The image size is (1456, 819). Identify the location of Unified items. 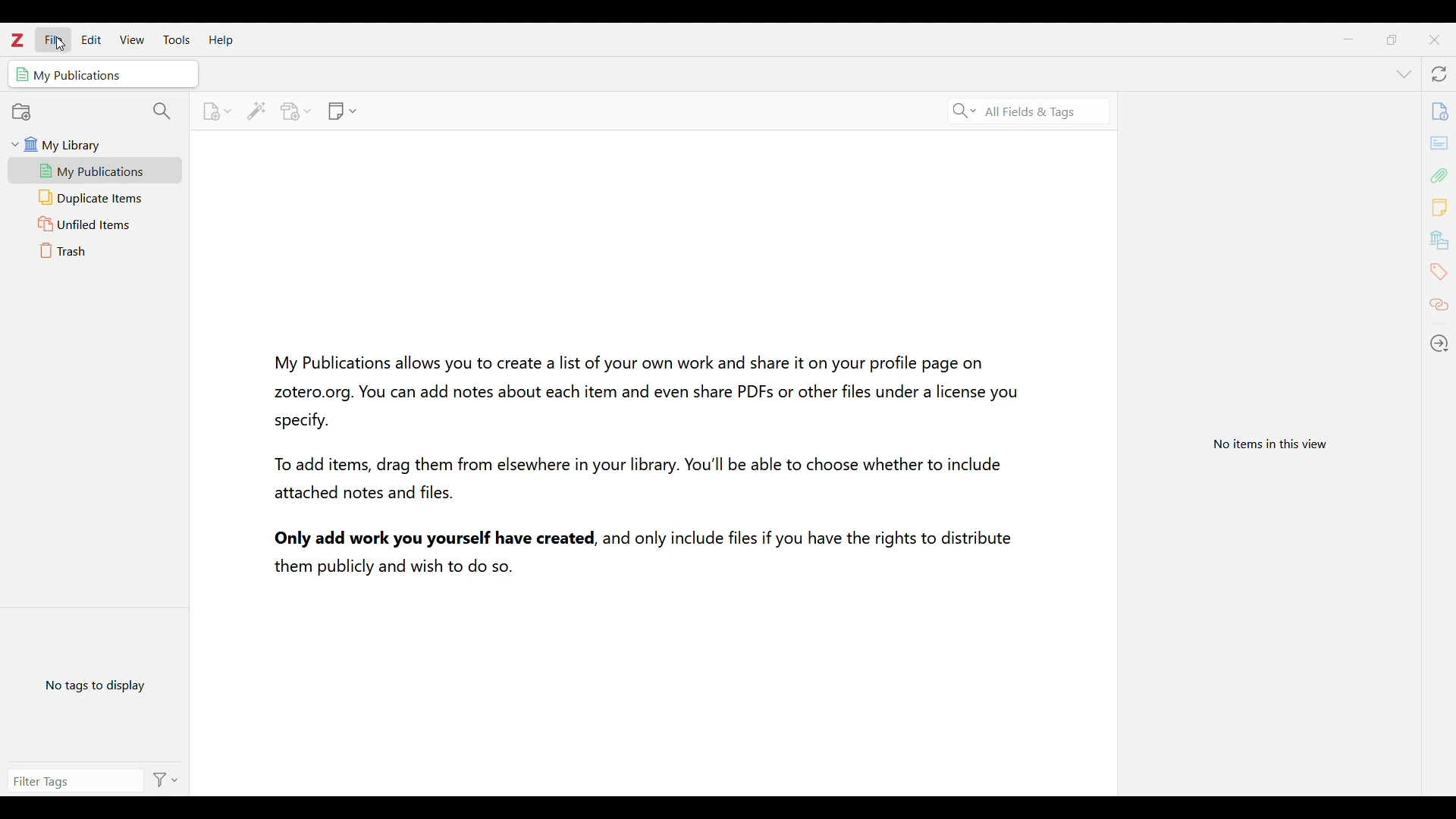
(96, 224).